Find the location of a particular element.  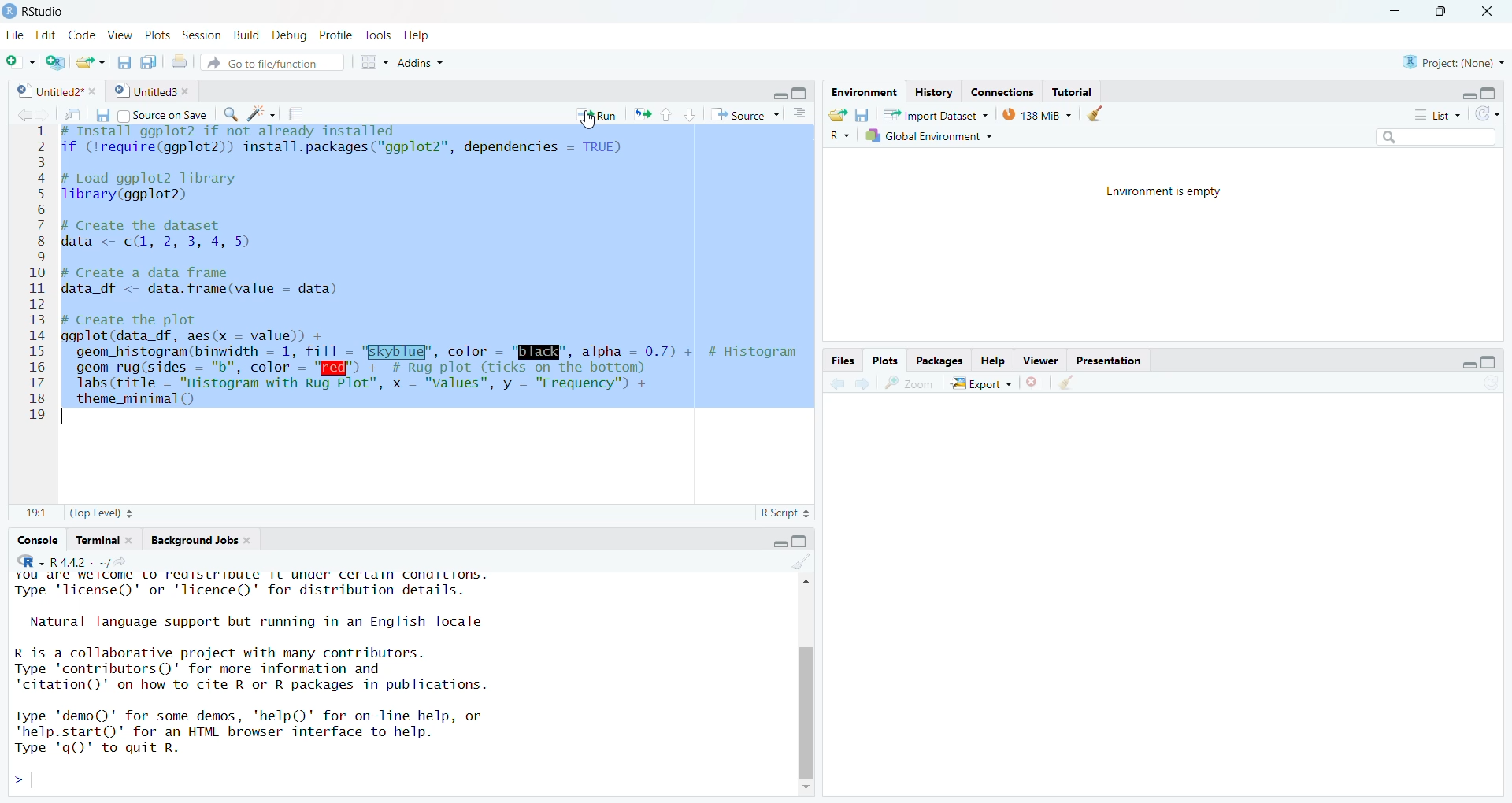

Environment is empty is located at coordinates (1168, 246).